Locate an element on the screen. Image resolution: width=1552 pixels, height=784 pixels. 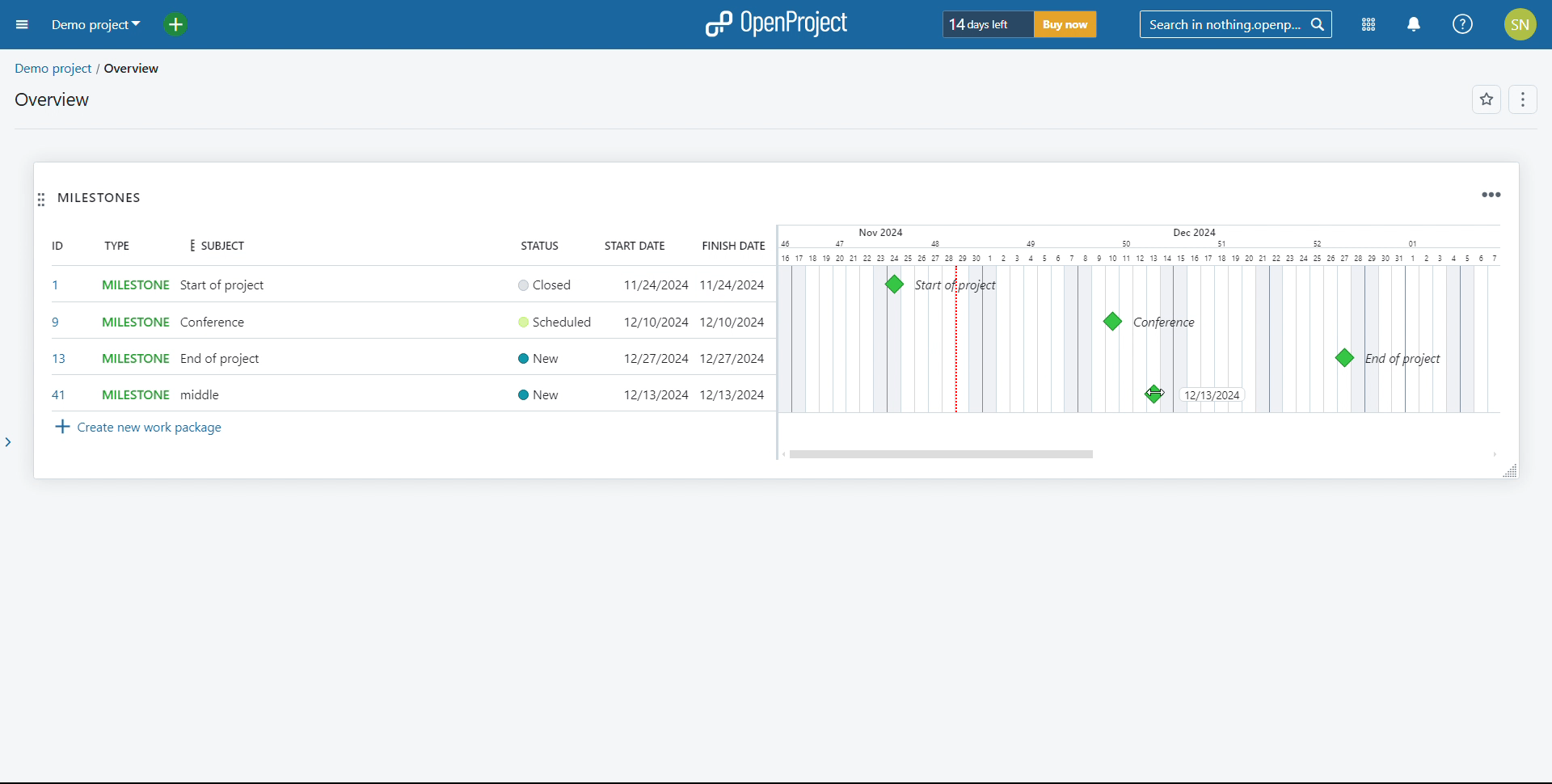
widget options is located at coordinates (1491, 196).